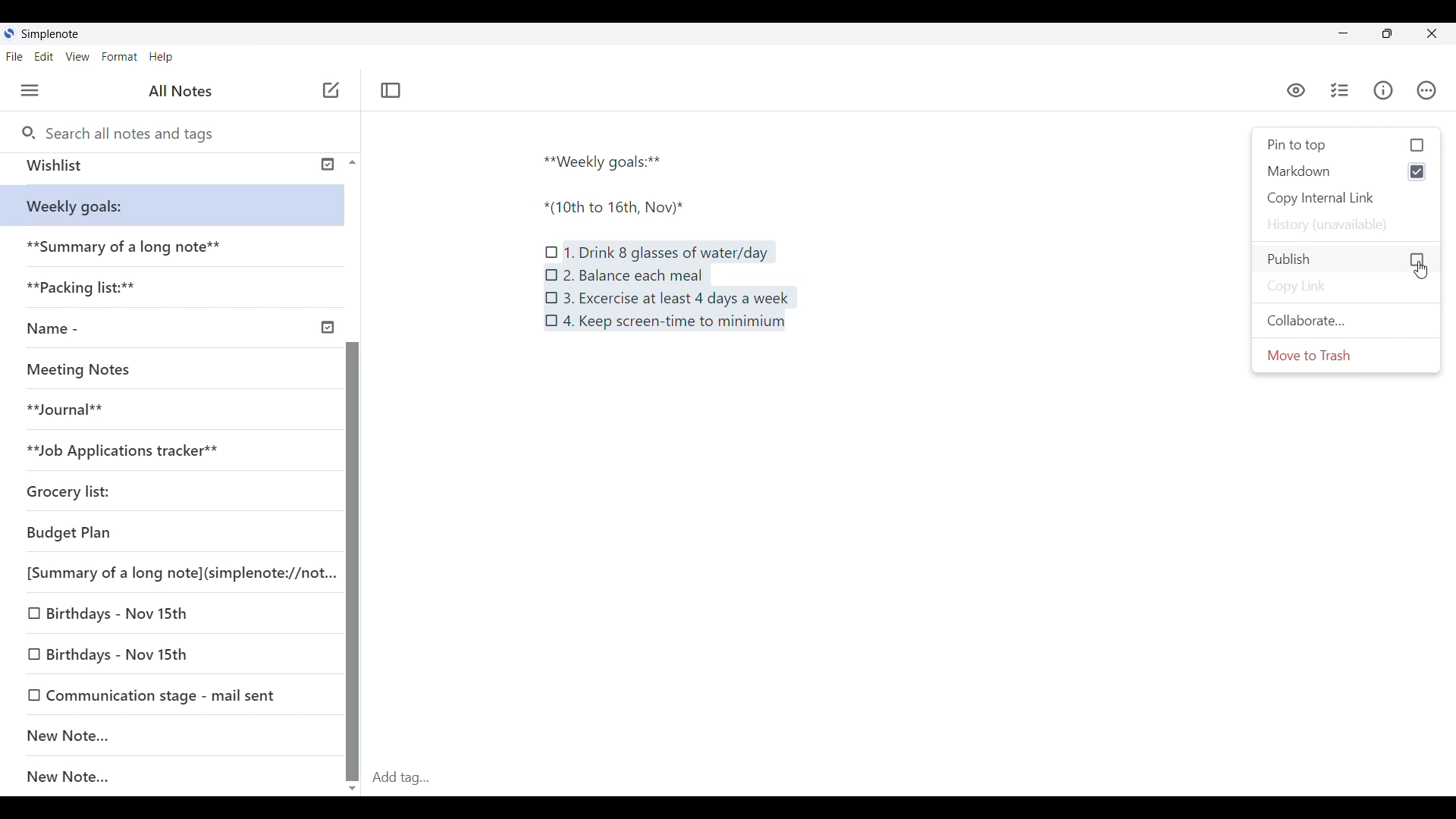  What do you see at coordinates (52, 33) in the screenshot?
I see `Simple note` at bounding box center [52, 33].